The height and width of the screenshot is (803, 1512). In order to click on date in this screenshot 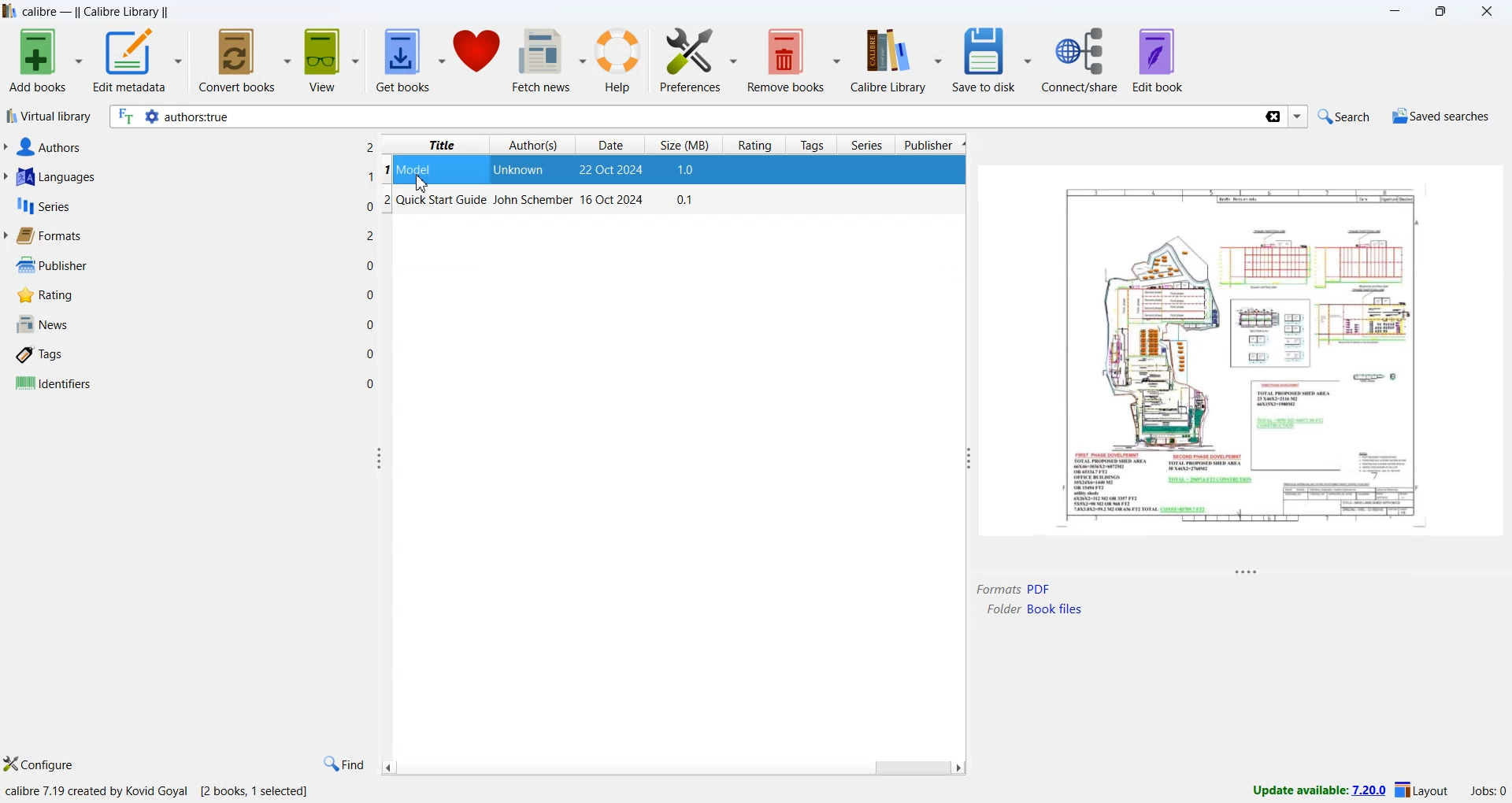, I will do `click(613, 171)`.